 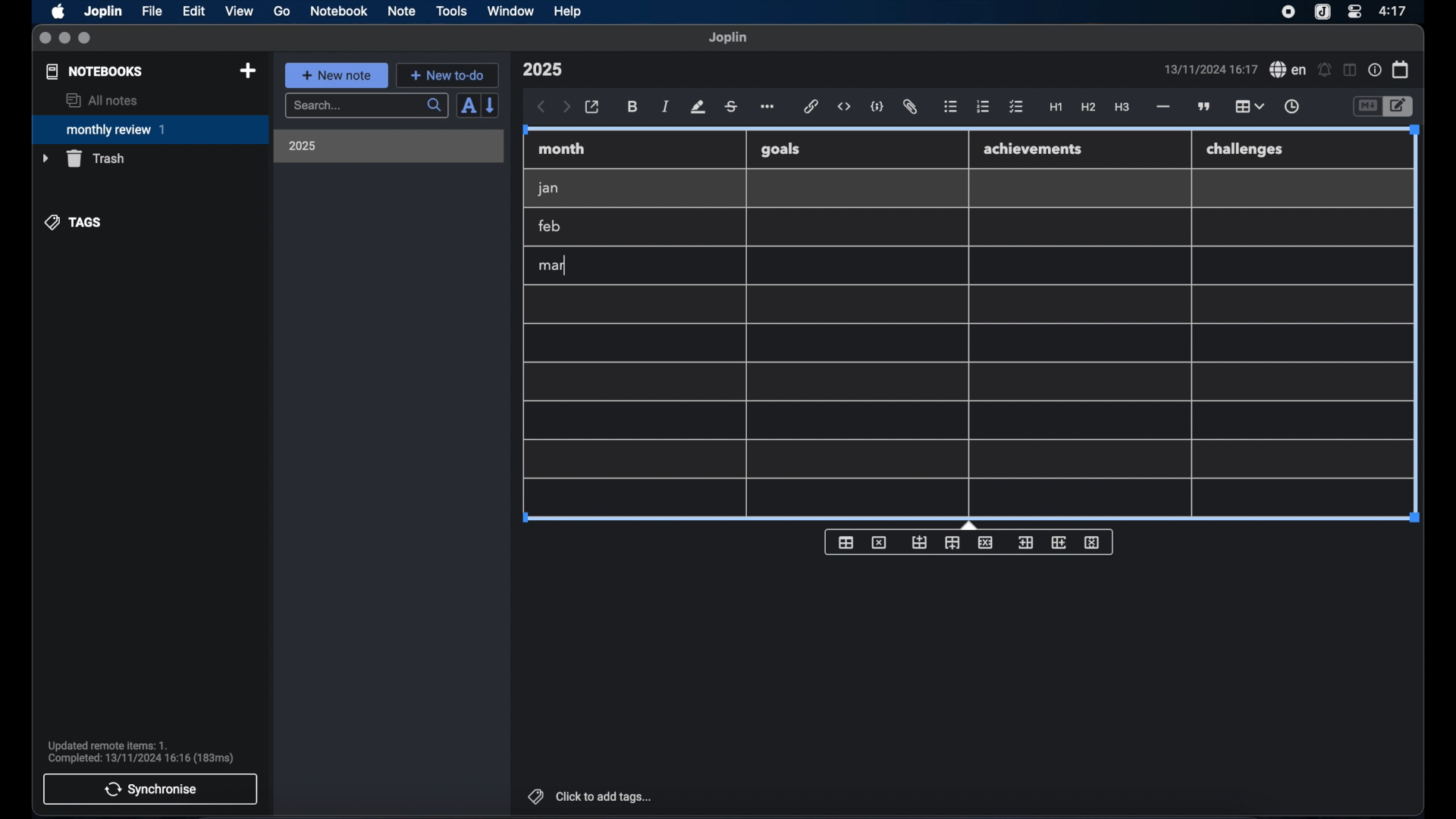 I want to click on italic, so click(x=666, y=106).